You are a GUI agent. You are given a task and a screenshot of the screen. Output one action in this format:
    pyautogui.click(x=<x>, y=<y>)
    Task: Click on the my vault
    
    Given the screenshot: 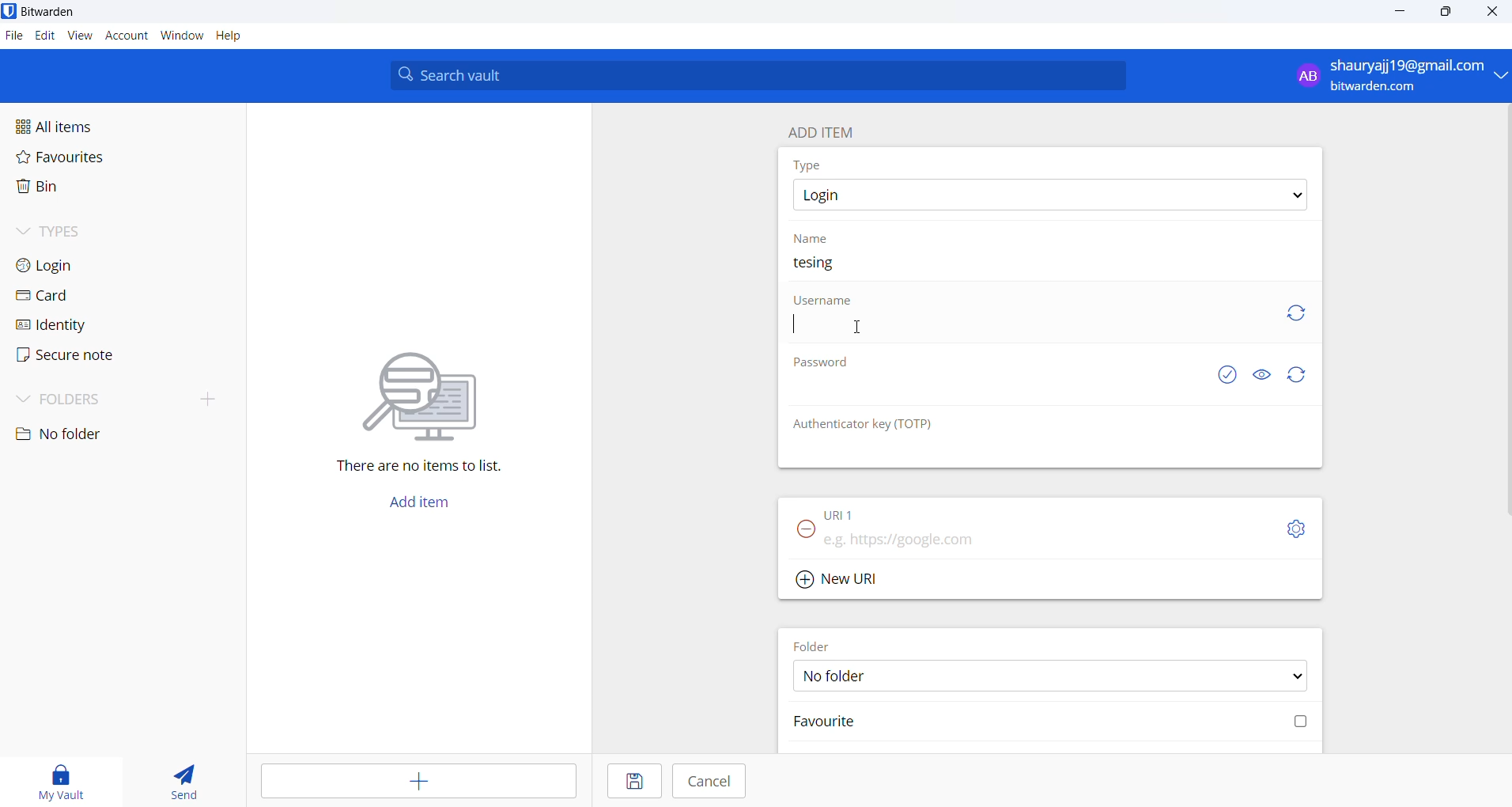 What is the action you would take?
    pyautogui.click(x=64, y=779)
    